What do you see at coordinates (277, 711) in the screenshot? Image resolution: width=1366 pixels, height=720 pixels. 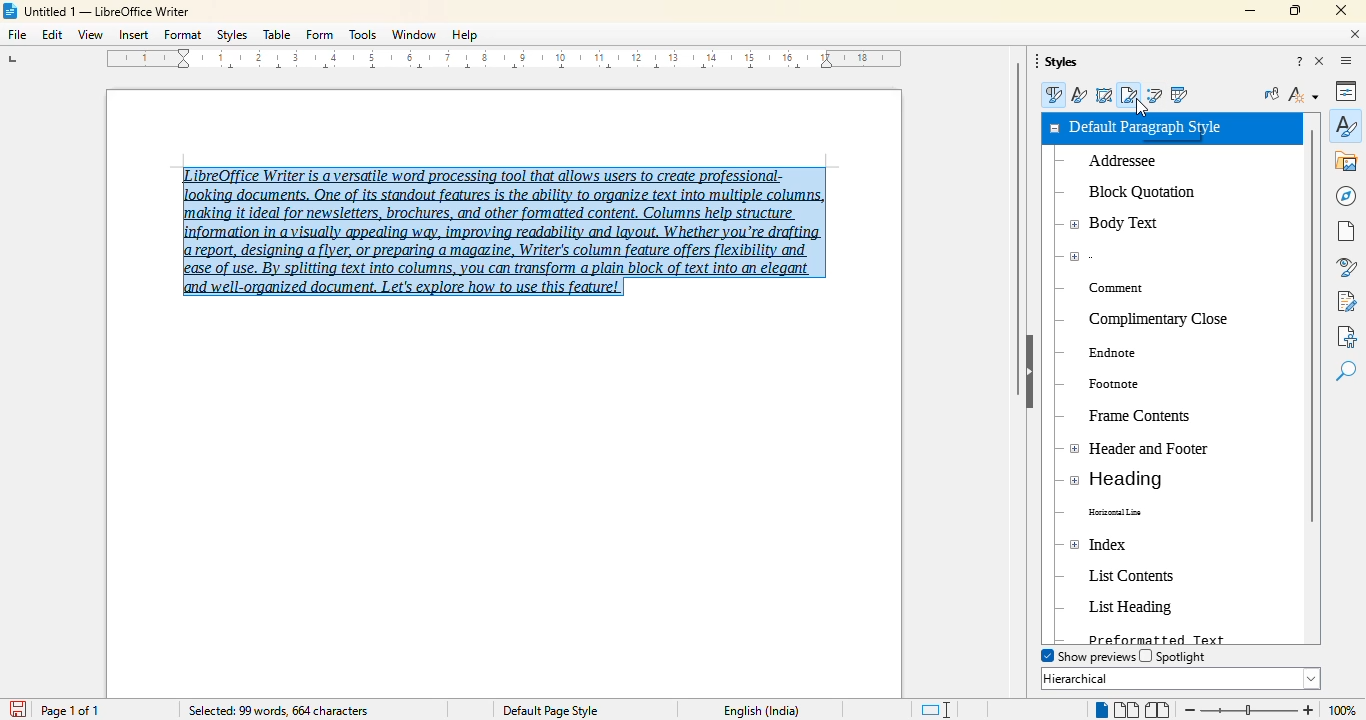 I see `selected: 99 words, 664 characters` at bounding box center [277, 711].